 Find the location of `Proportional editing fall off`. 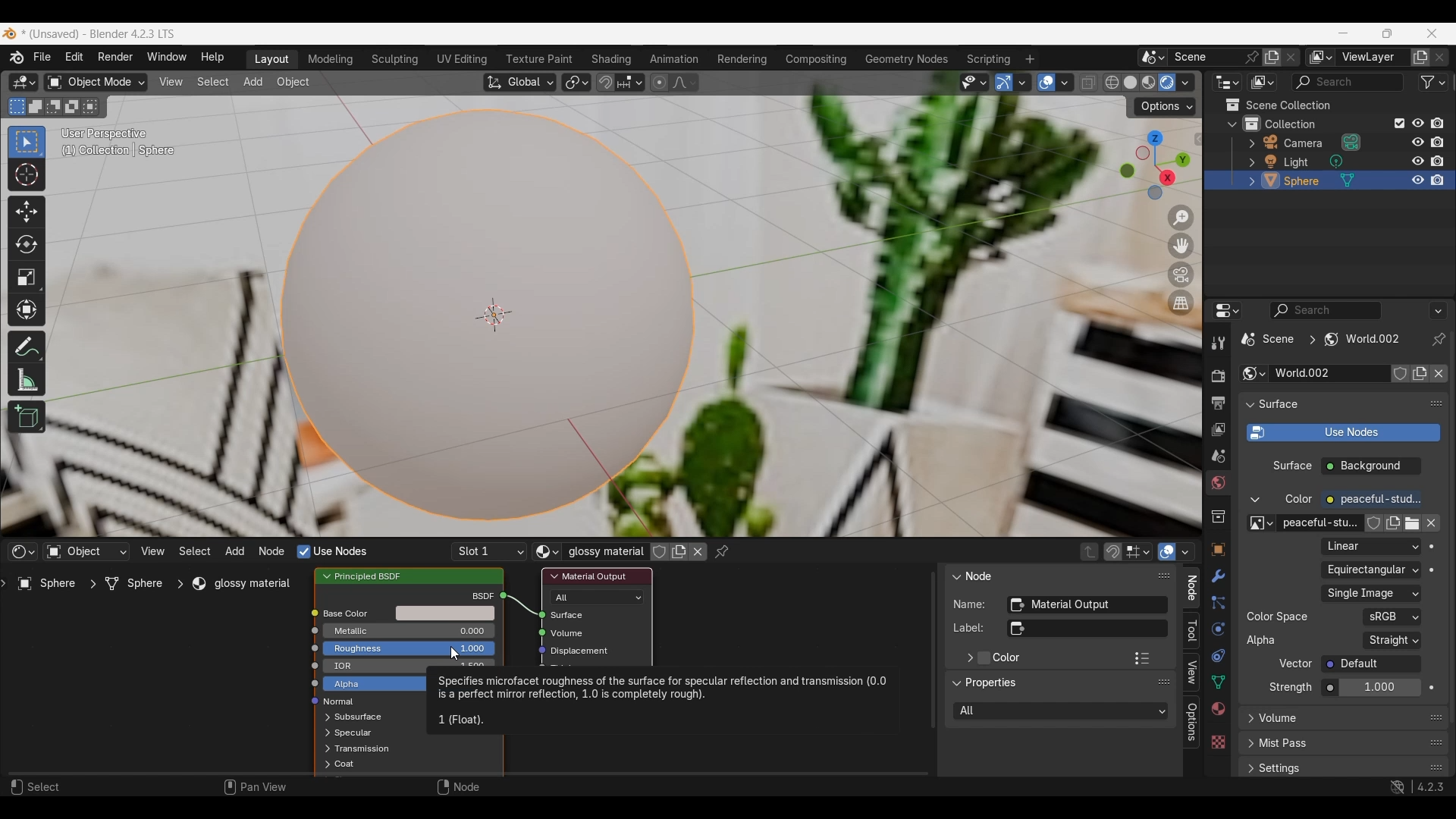

Proportional editing fall off is located at coordinates (683, 83).